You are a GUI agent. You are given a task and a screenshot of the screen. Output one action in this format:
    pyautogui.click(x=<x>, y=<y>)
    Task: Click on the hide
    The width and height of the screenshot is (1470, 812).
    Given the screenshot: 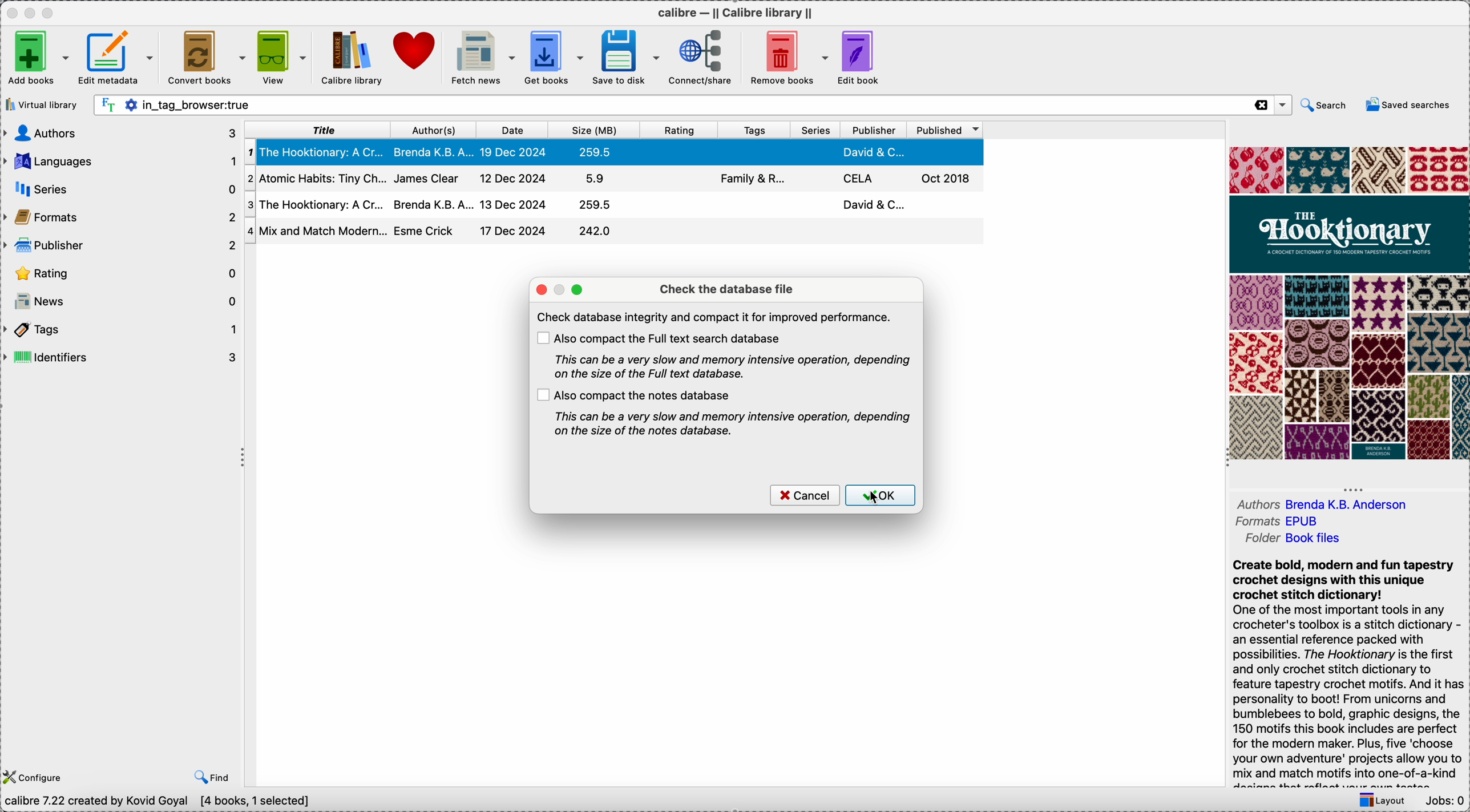 What is the action you would take?
    pyautogui.click(x=243, y=459)
    